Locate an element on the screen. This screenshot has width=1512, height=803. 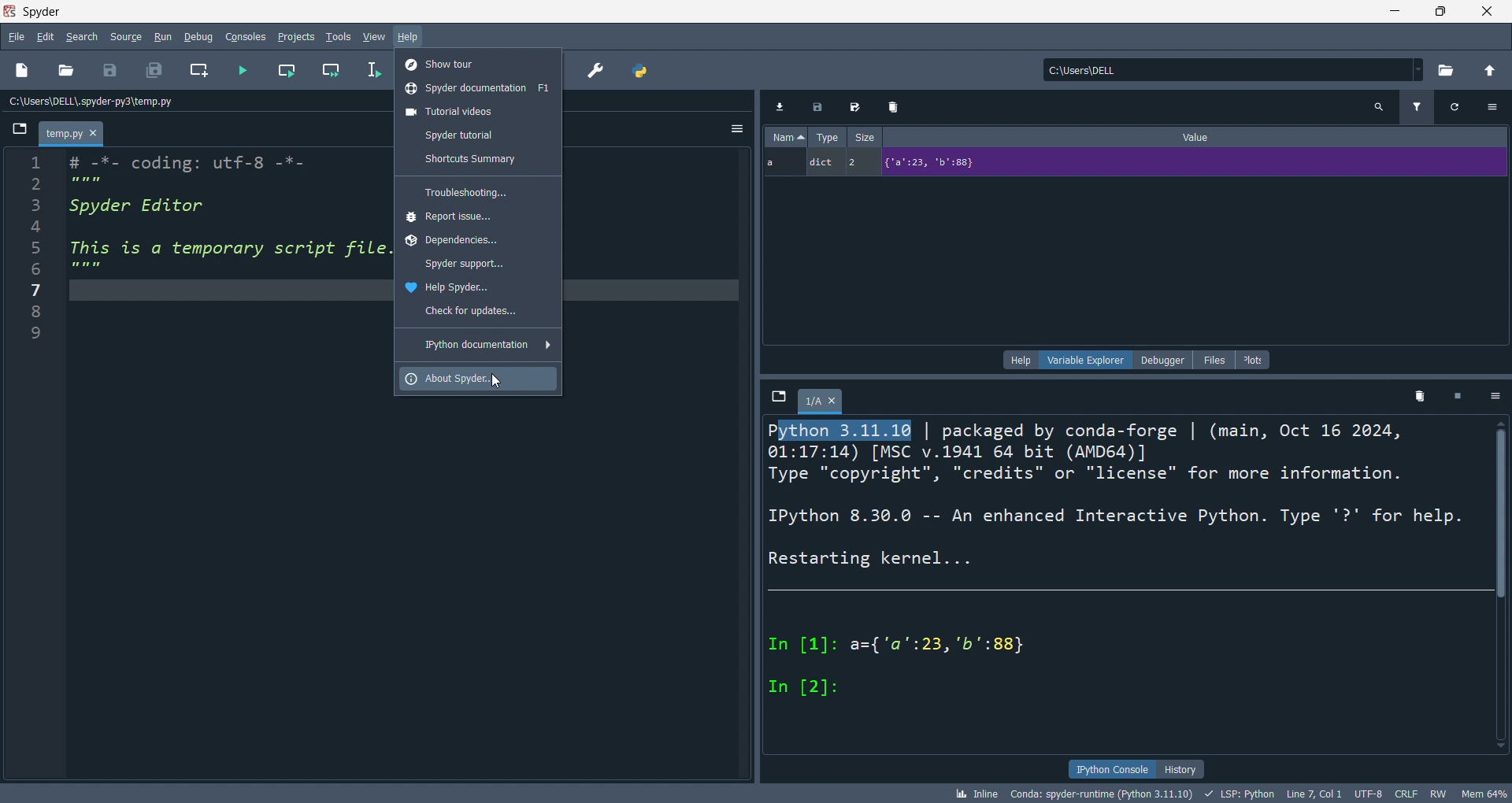
edit is located at coordinates (45, 37).